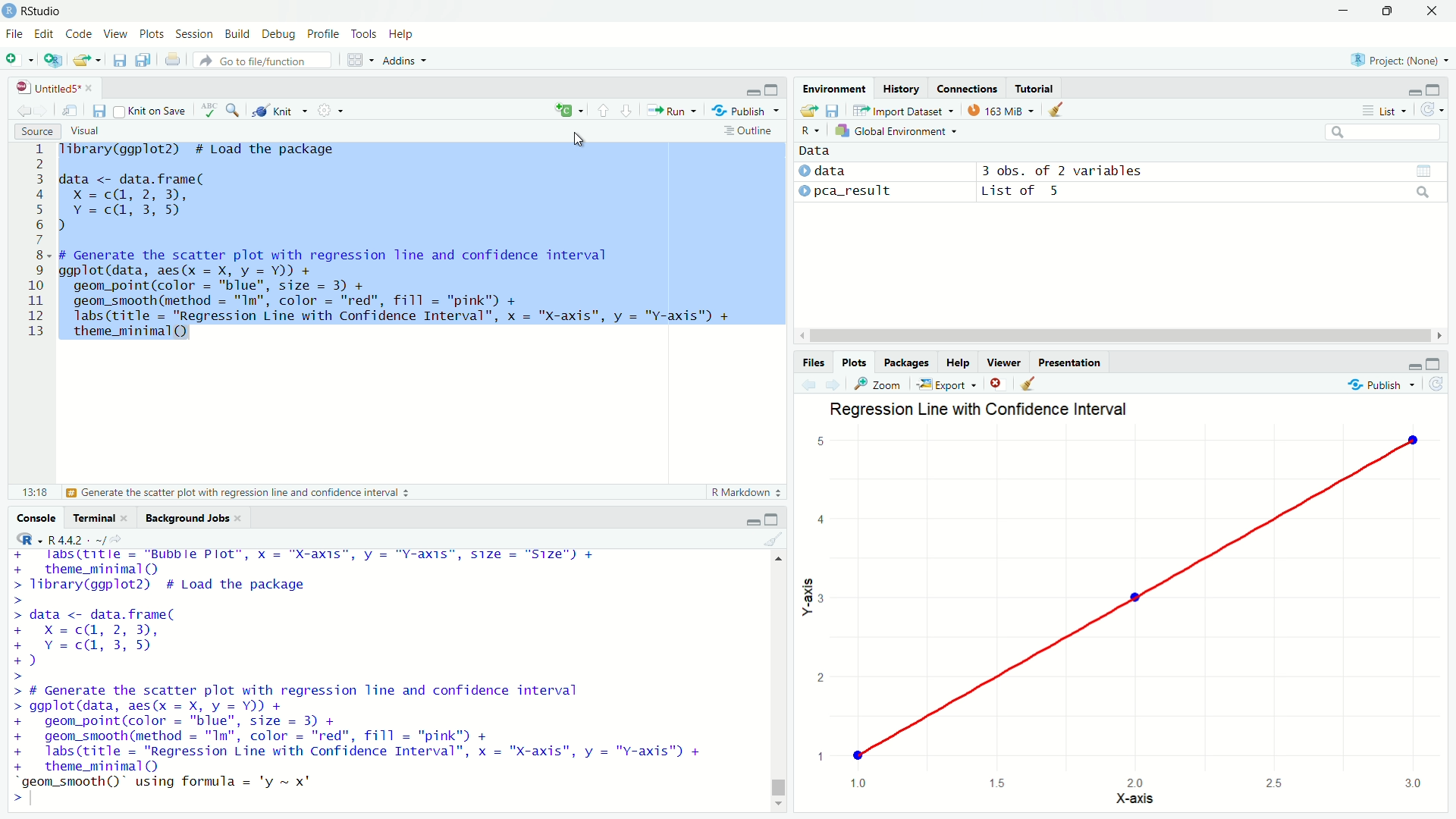 The image size is (1456, 819). What do you see at coordinates (33, 11) in the screenshot?
I see `RStudio` at bounding box center [33, 11].